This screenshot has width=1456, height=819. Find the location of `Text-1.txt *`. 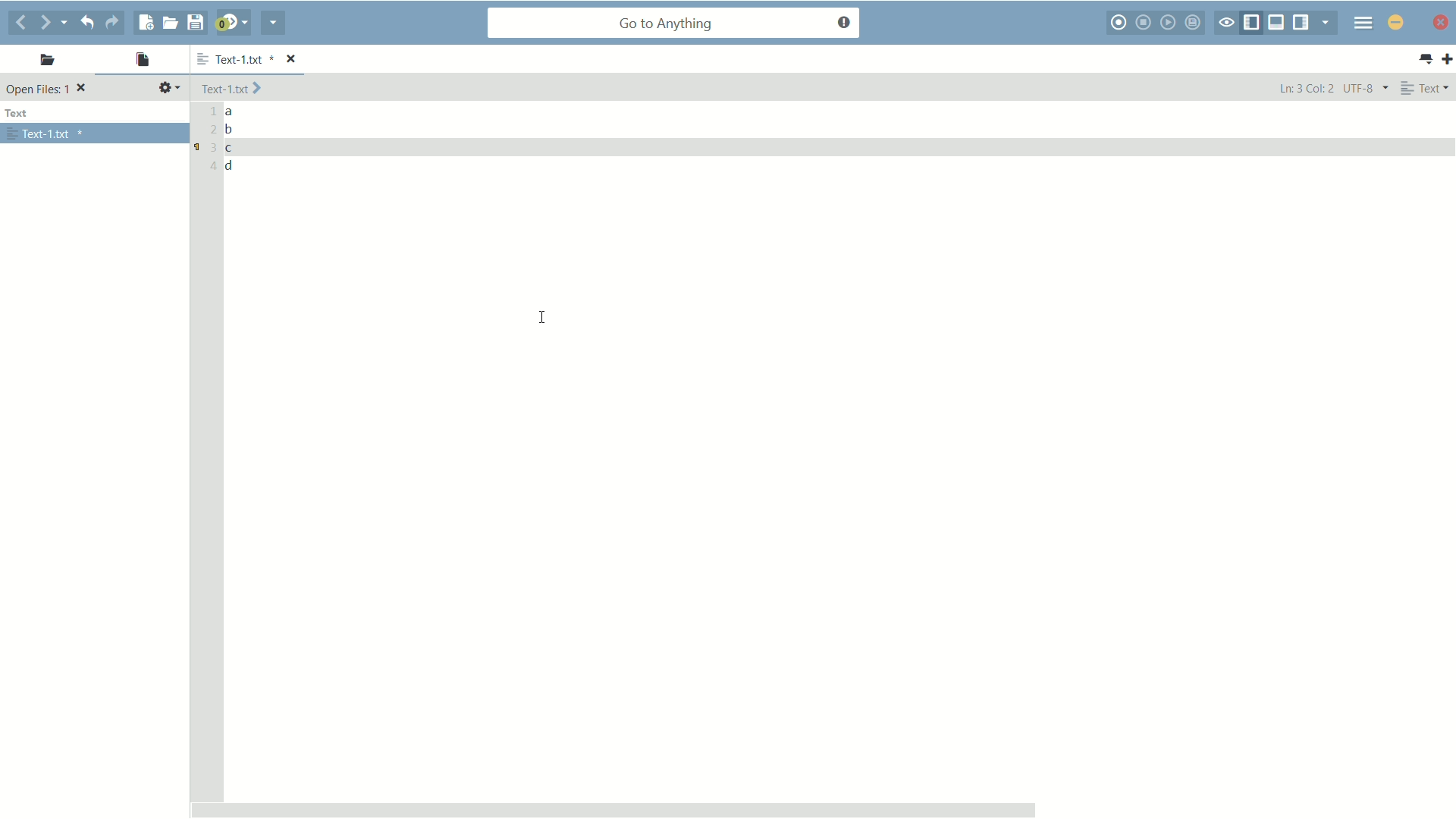

Text-1.txt * is located at coordinates (46, 134).